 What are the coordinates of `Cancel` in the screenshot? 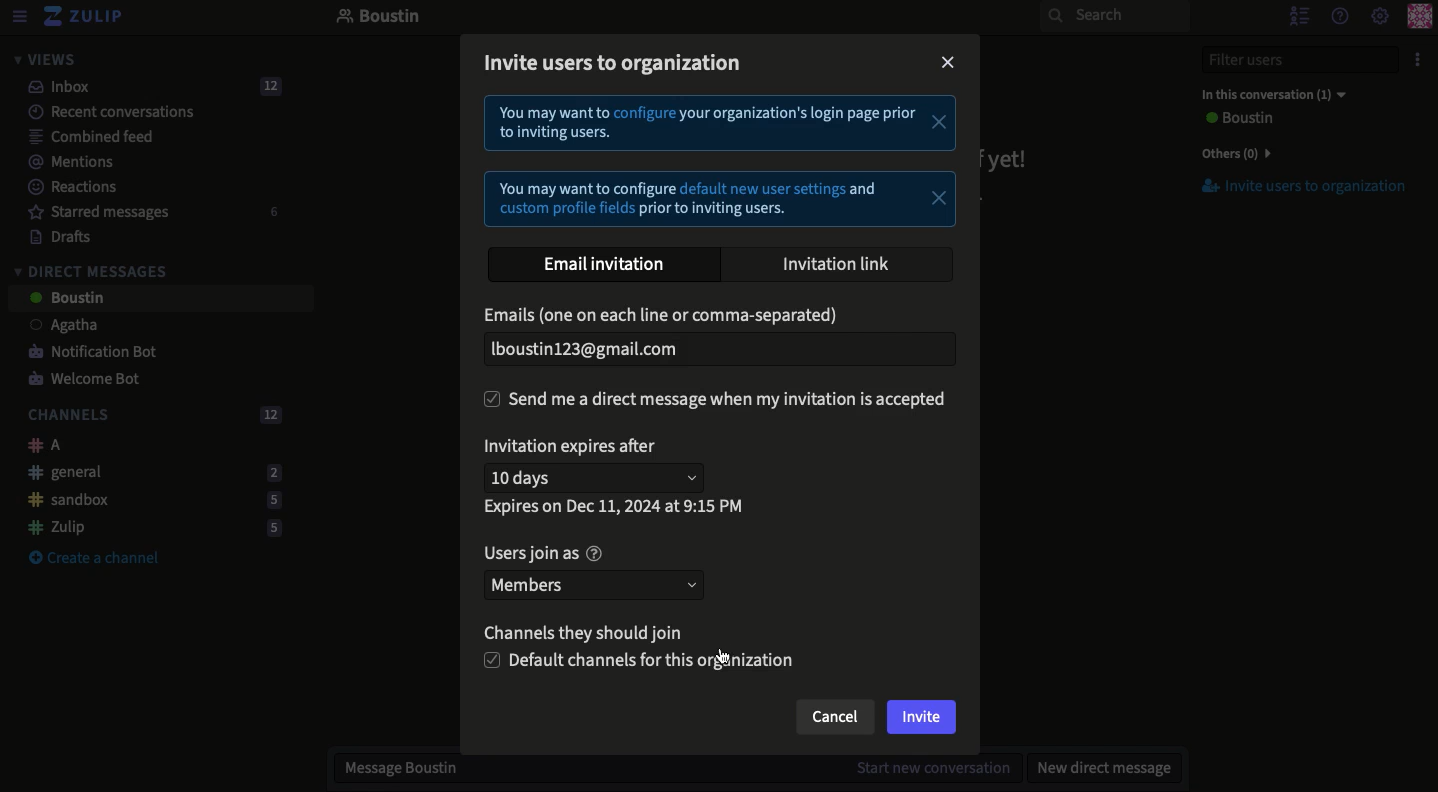 It's located at (833, 721).